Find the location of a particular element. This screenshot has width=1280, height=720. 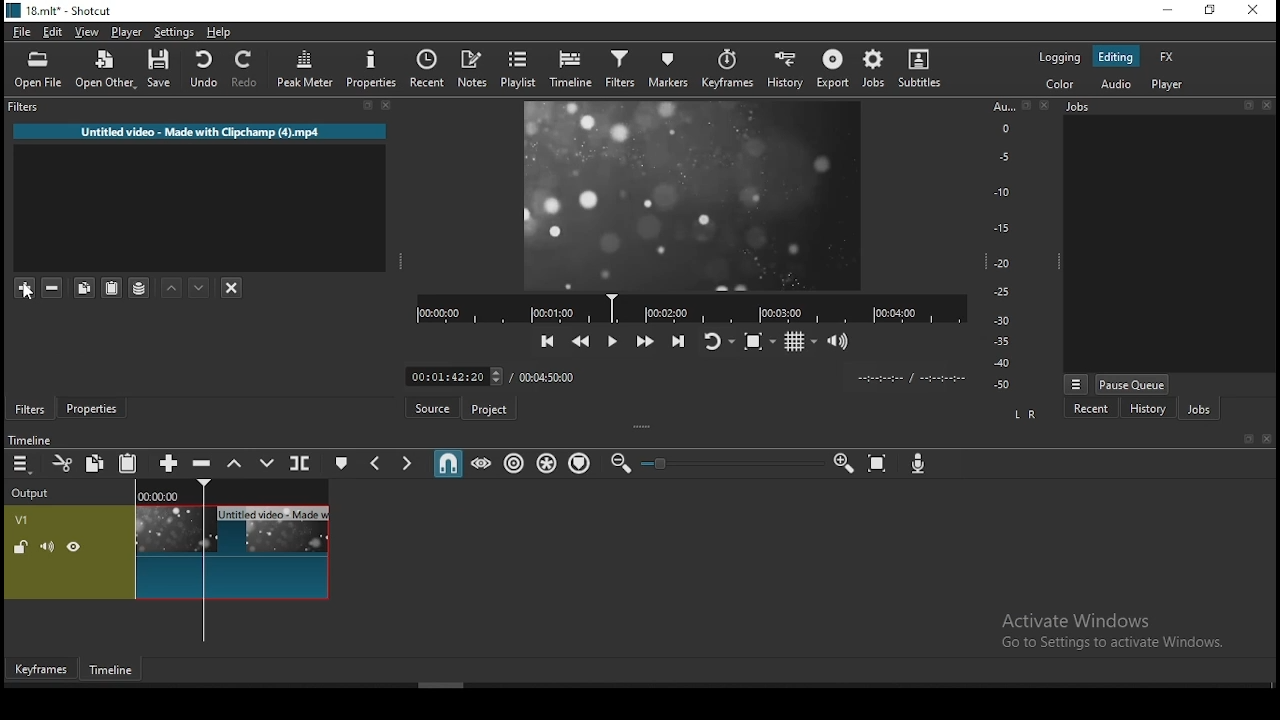

L R is located at coordinates (1026, 415).